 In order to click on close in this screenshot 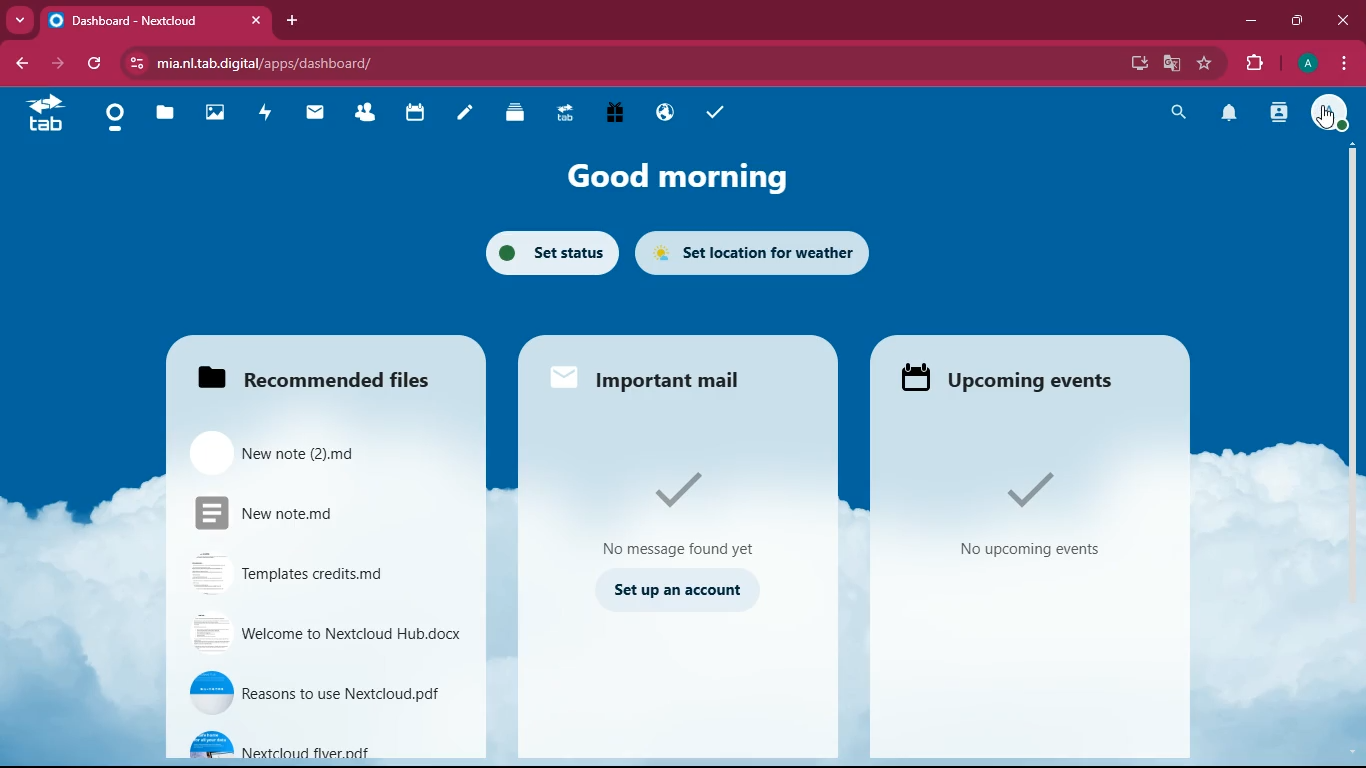, I will do `click(1340, 21)`.